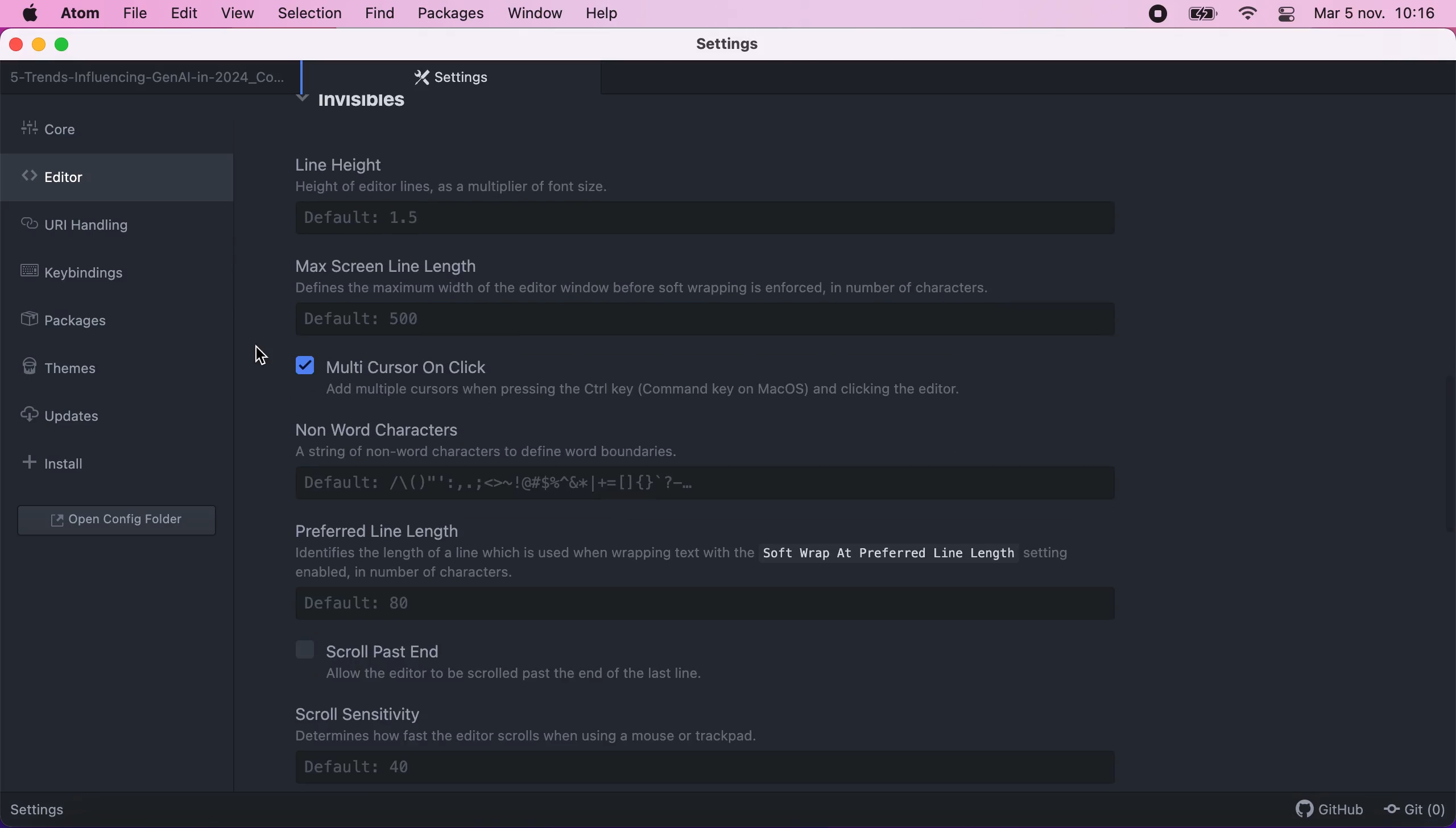  What do you see at coordinates (605, 13) in the screenshot?
I see `help` at bounding box center [605, 13].